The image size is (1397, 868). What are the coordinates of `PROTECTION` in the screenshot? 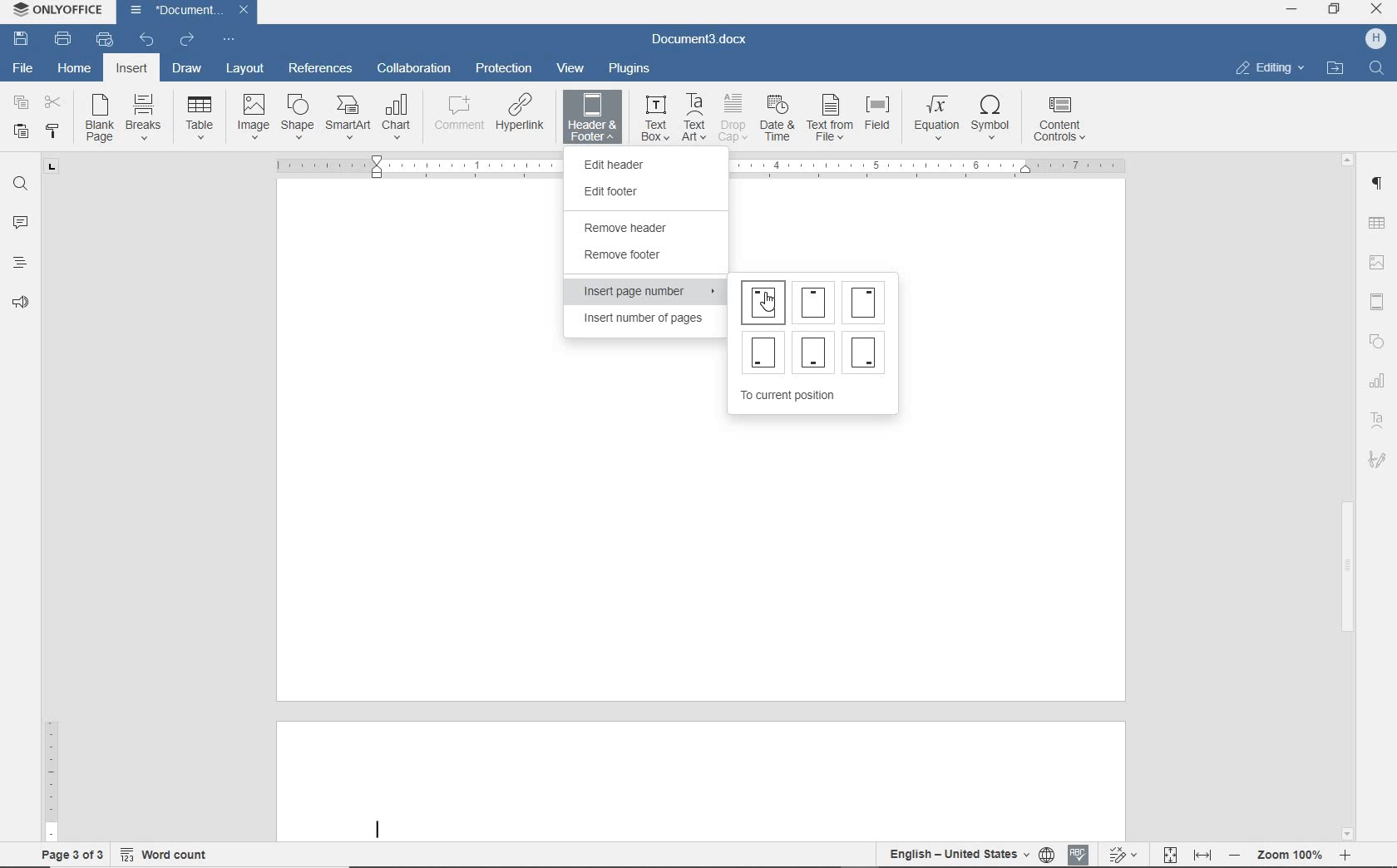 It's located at (504, 69).